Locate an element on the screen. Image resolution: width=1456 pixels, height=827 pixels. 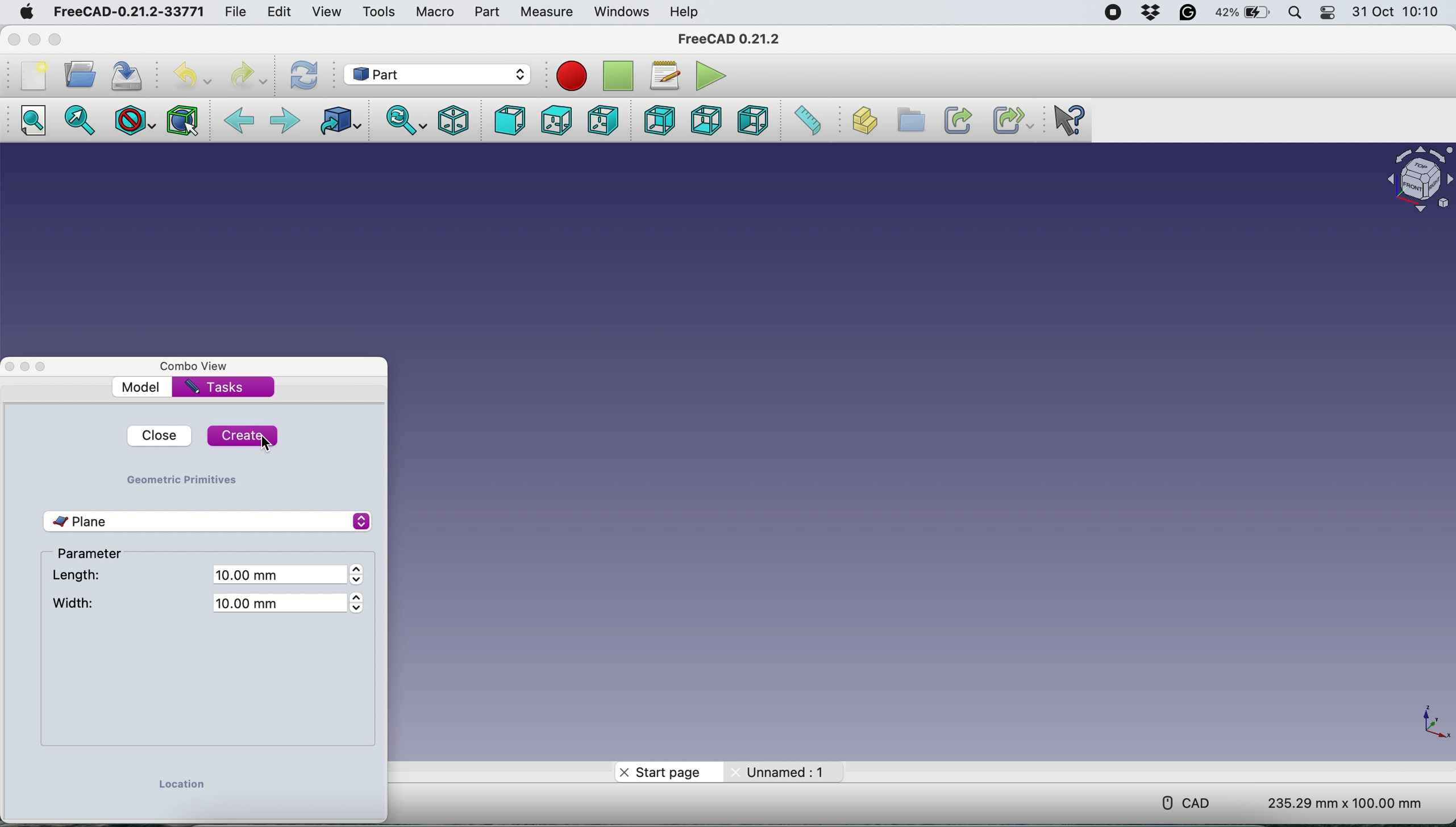
Forward is located at coordinates (286, 120).